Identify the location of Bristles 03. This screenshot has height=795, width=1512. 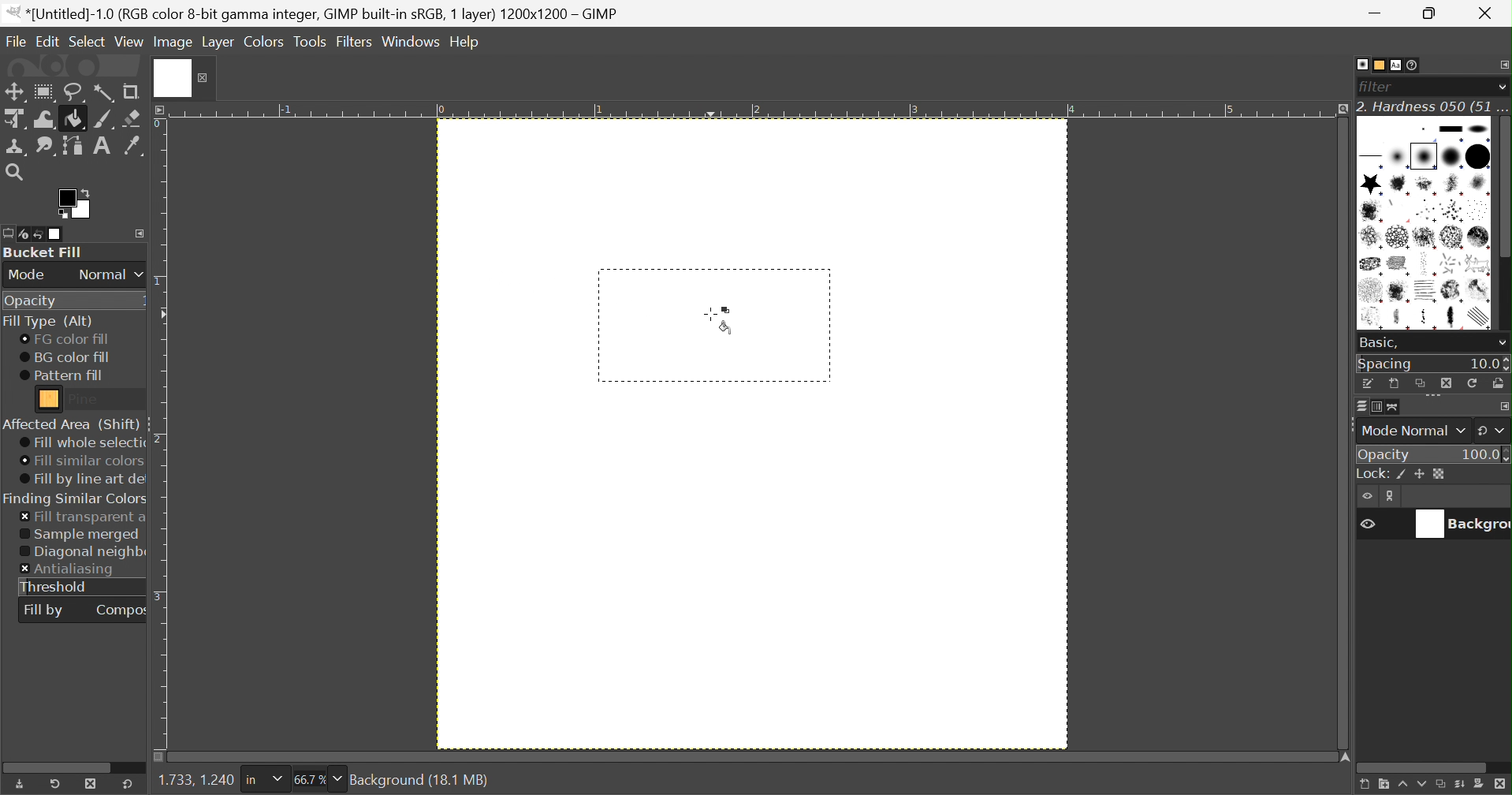
(1480, 211).